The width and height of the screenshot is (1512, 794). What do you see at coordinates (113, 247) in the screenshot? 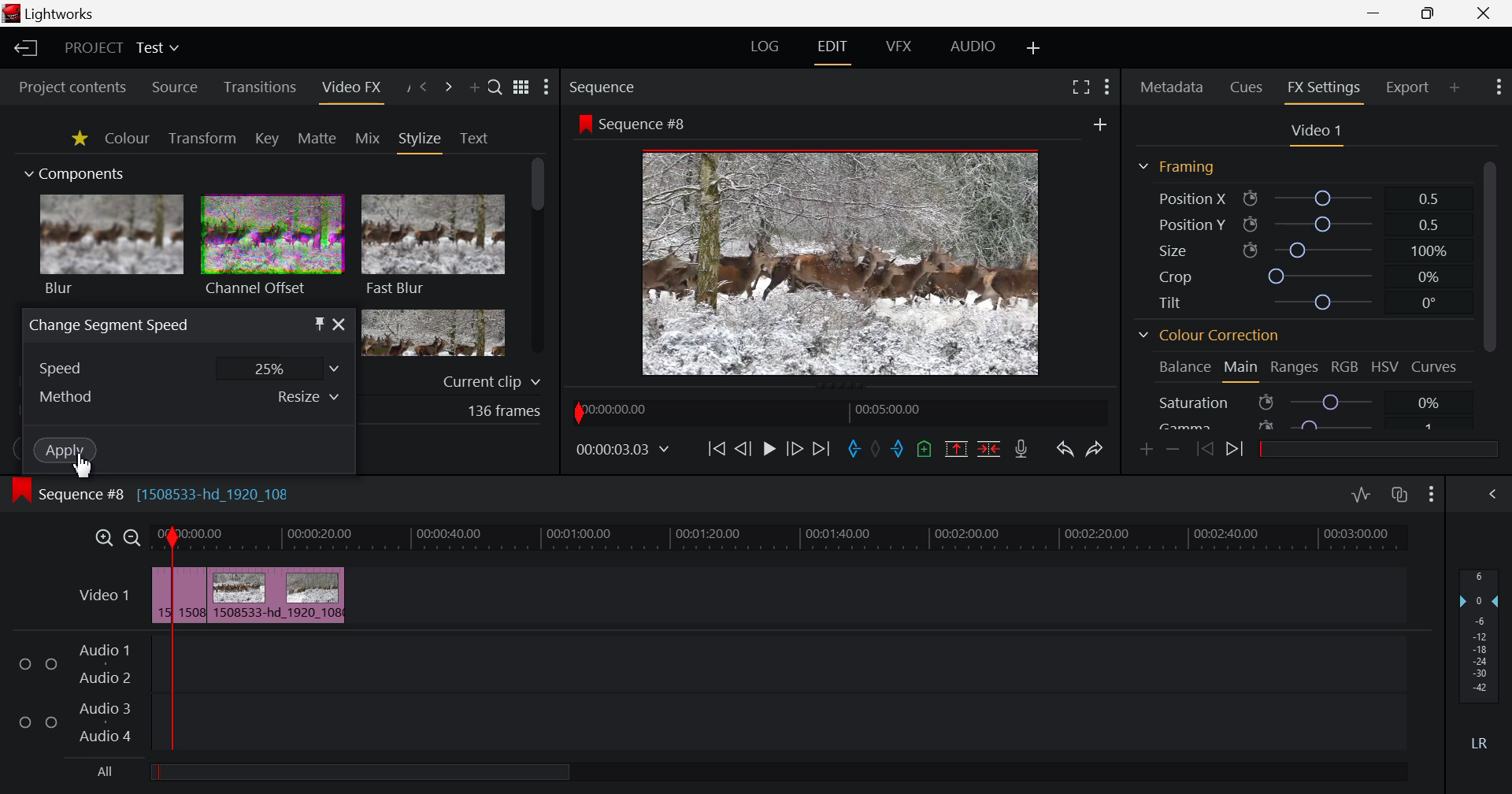
I see `blur` at bounding box center [113, 247].